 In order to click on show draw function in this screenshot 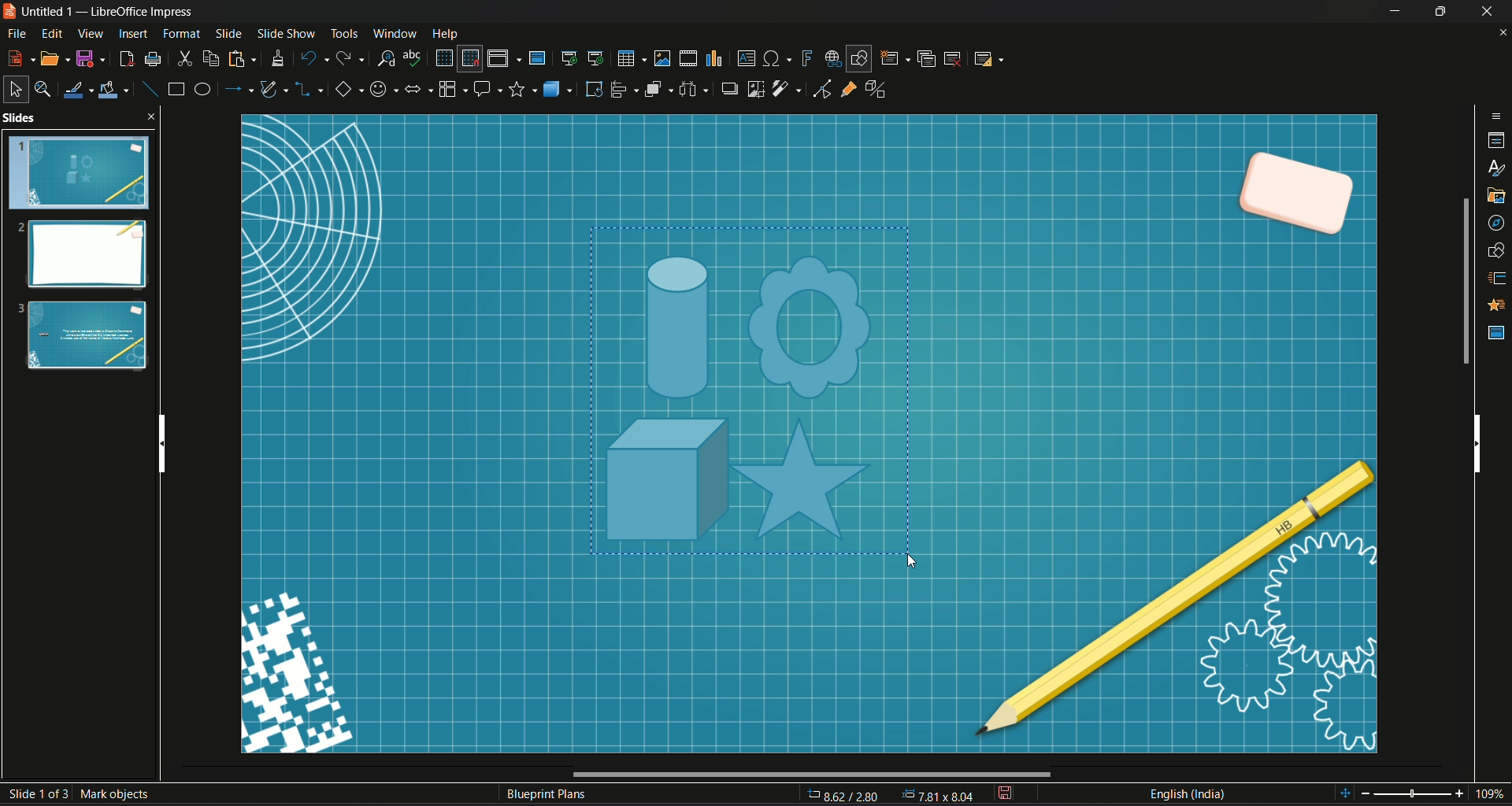, I will do `click(859, 58)`.